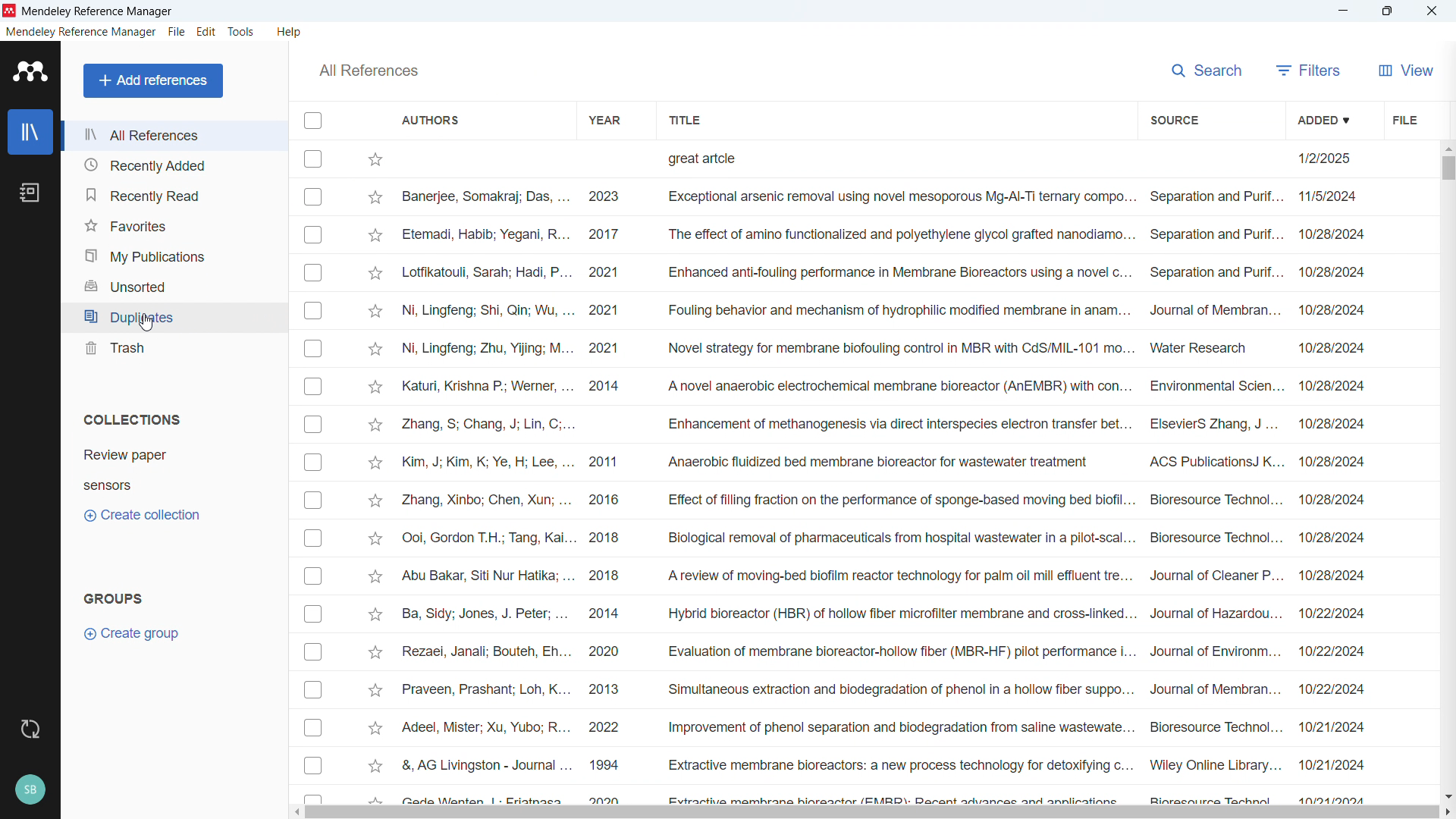 This screenshot has width=1456, height=819. I want to click on Sort by file , so click(1406, 119).